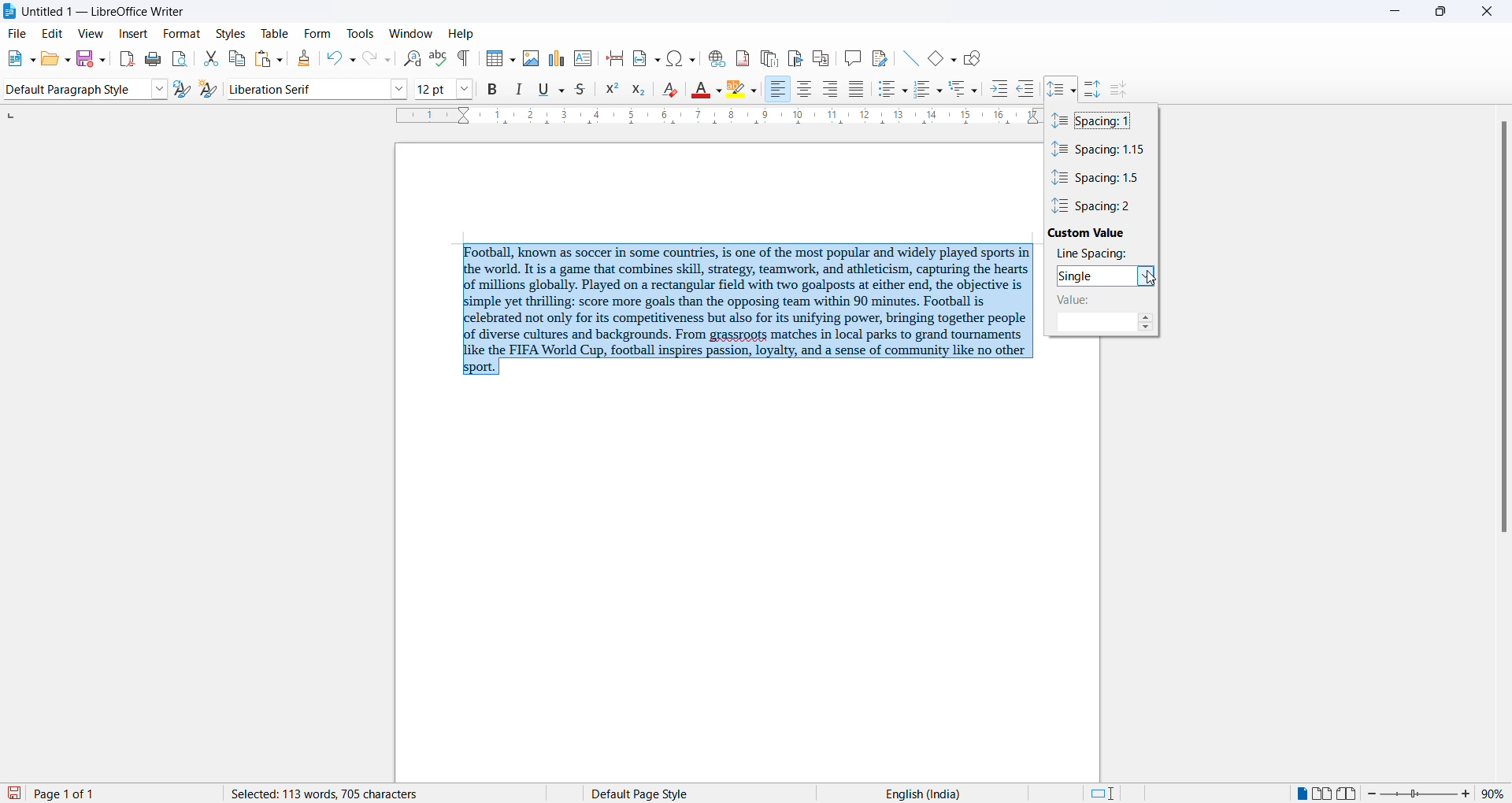 This screenshot has height=803, width=1512. Describe the element at coordinates (543, 87) in the screenshot. I see `underline` at that location.